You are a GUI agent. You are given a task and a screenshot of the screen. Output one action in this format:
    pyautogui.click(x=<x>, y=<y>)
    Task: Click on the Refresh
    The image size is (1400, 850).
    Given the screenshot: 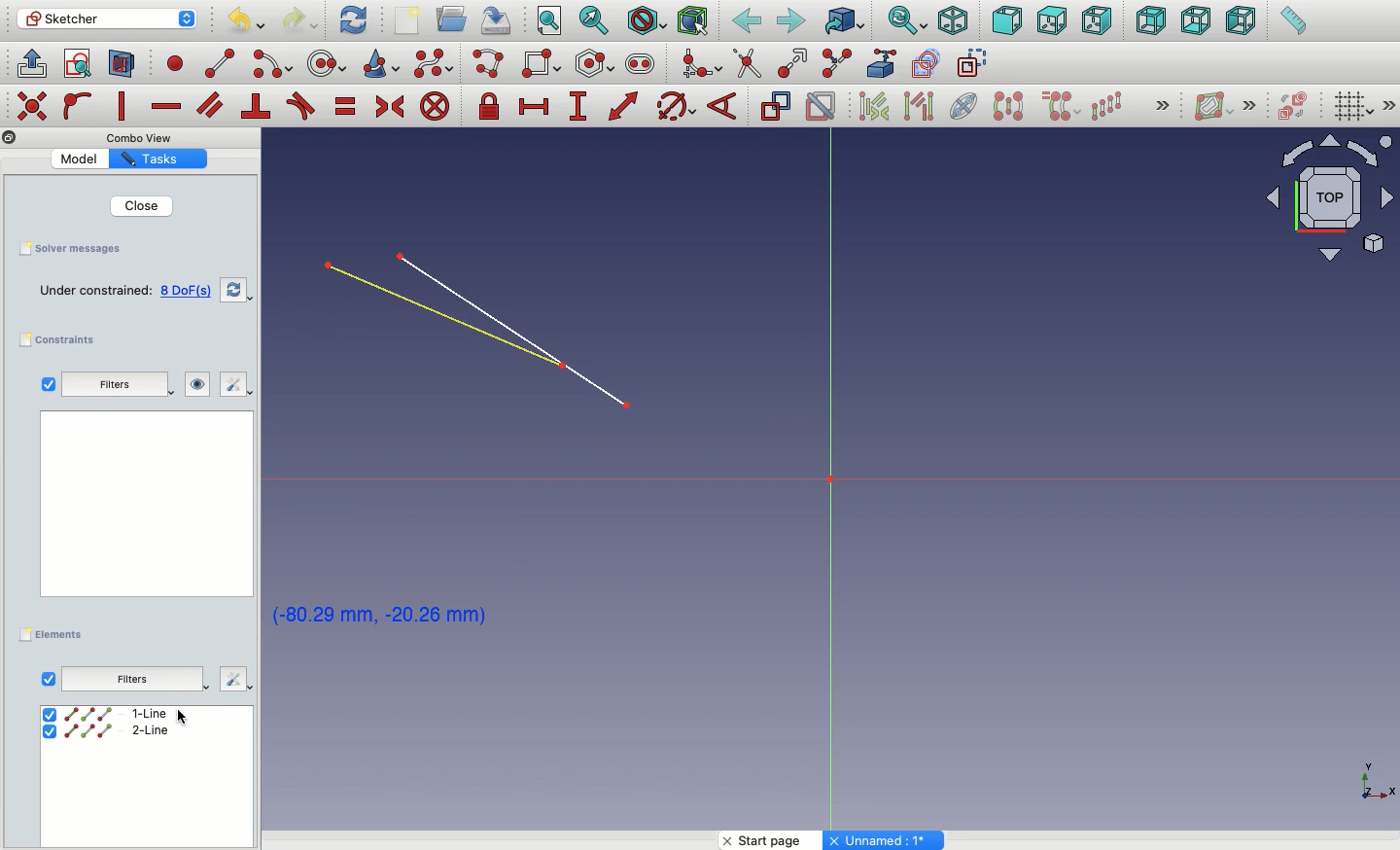 What is the action you would take?
    pyautogui.click(x=353, y=20)
    